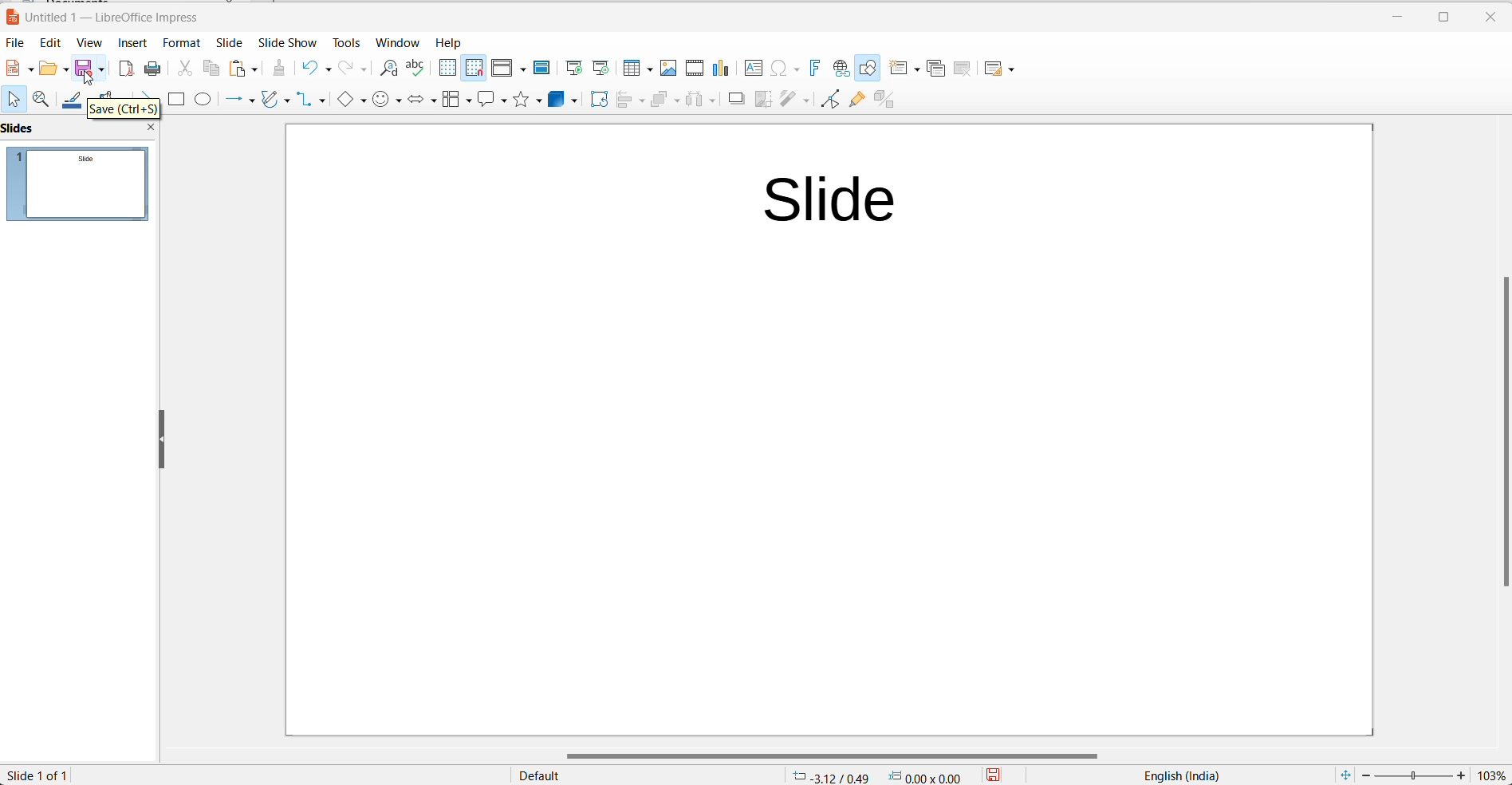 This screenshot has width=1512, height=785. What do you see at coordinates (629, 102) in the screenshot?
I see `align` at bounding box center [629, 102].